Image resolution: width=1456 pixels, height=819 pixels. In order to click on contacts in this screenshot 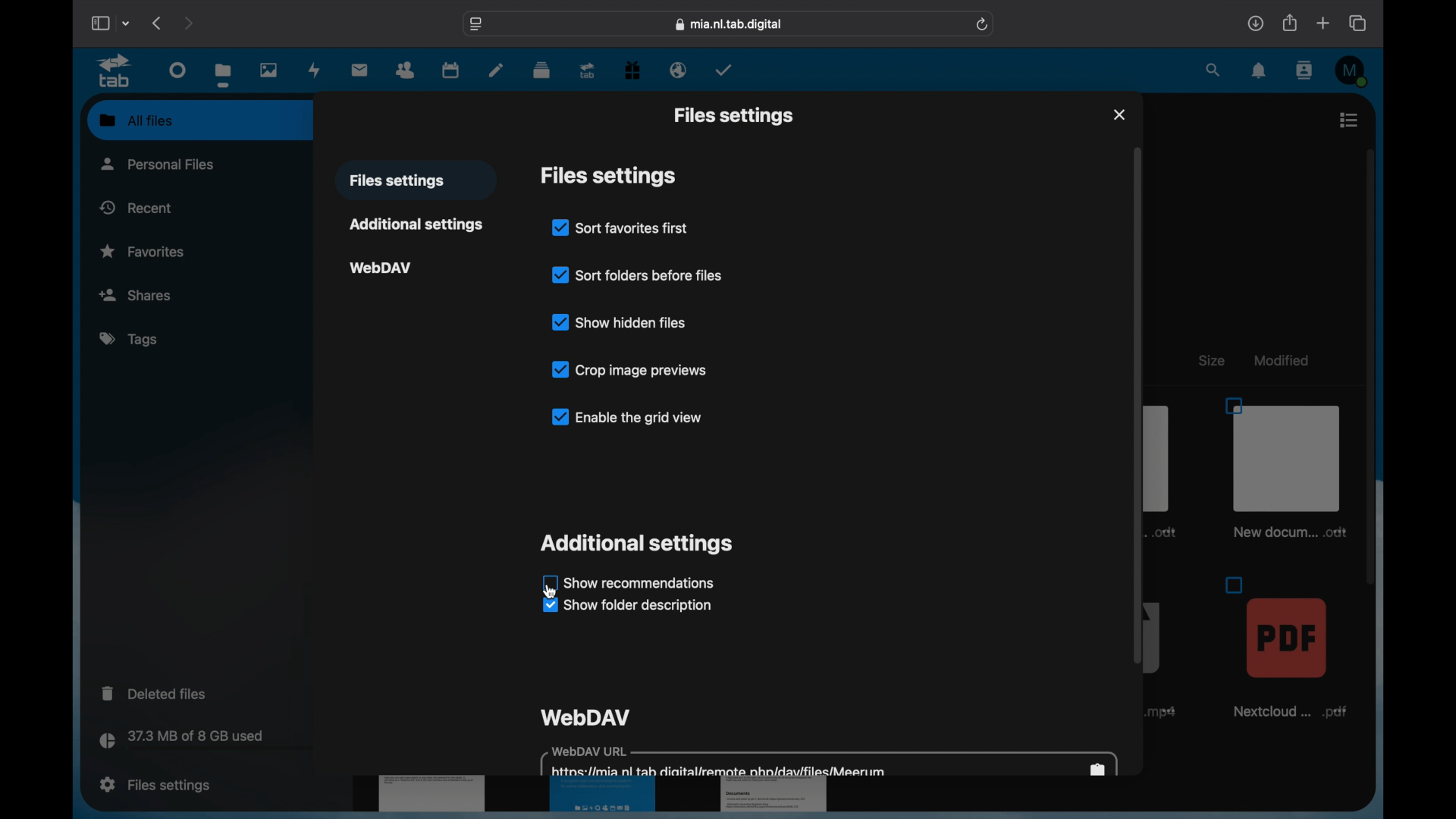, I will do `click(1304, 71)`.